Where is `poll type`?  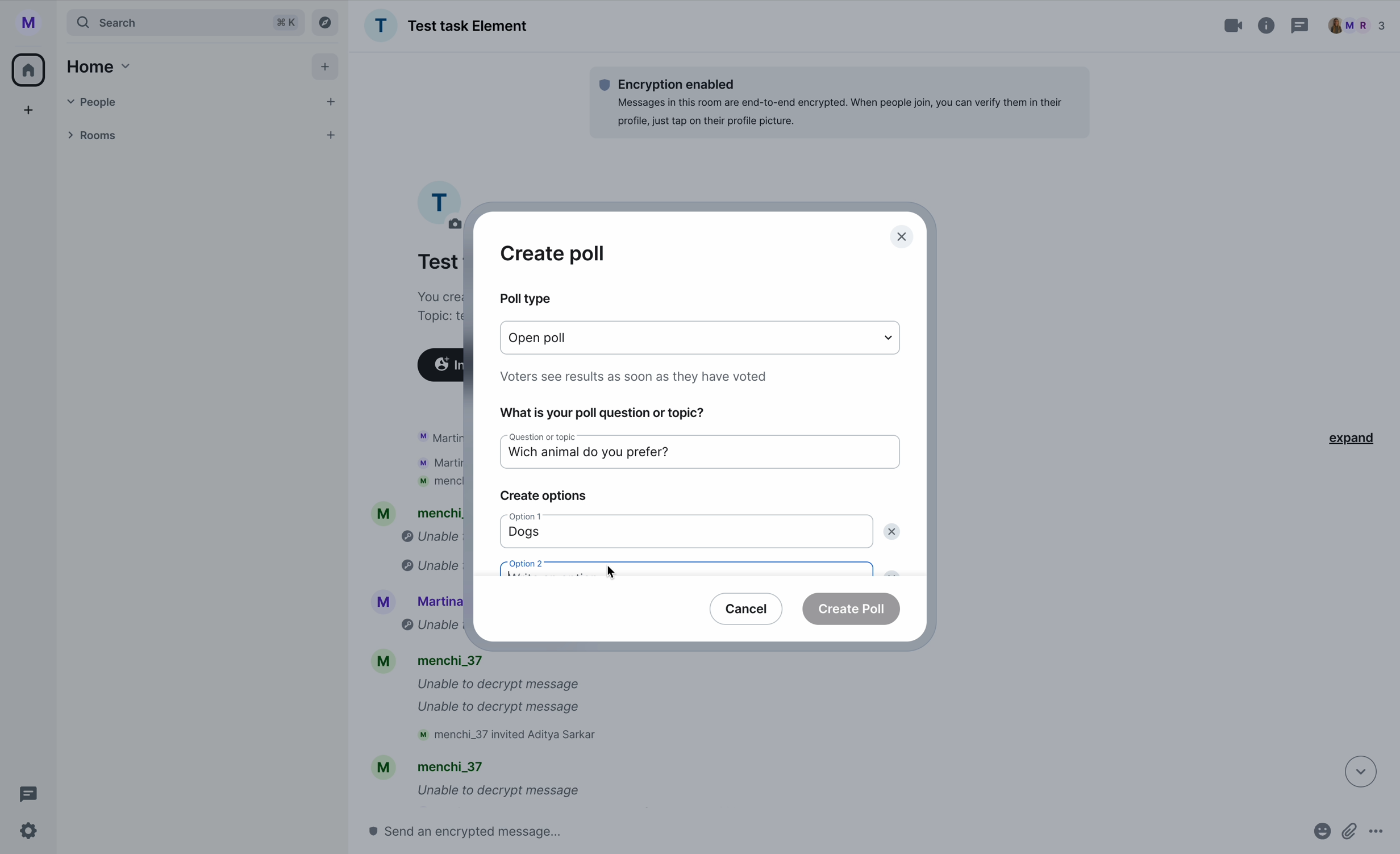
poll type is located at coordinates (524, 298).